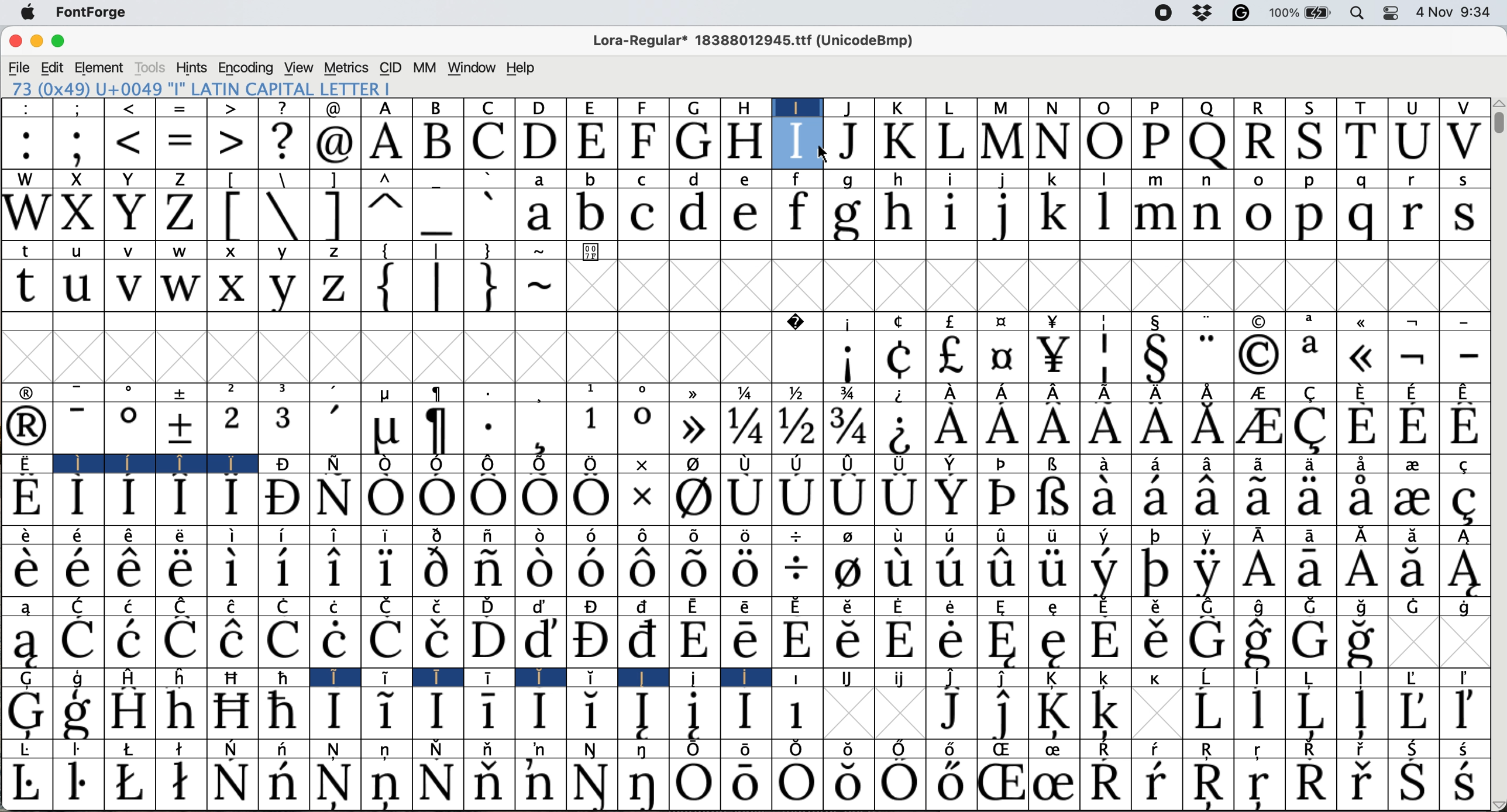 The height and width of the screenshot is (812, 1507). Describe the element at coordinates (284, 641) in the screenshot. I see `Symbol` at that location.